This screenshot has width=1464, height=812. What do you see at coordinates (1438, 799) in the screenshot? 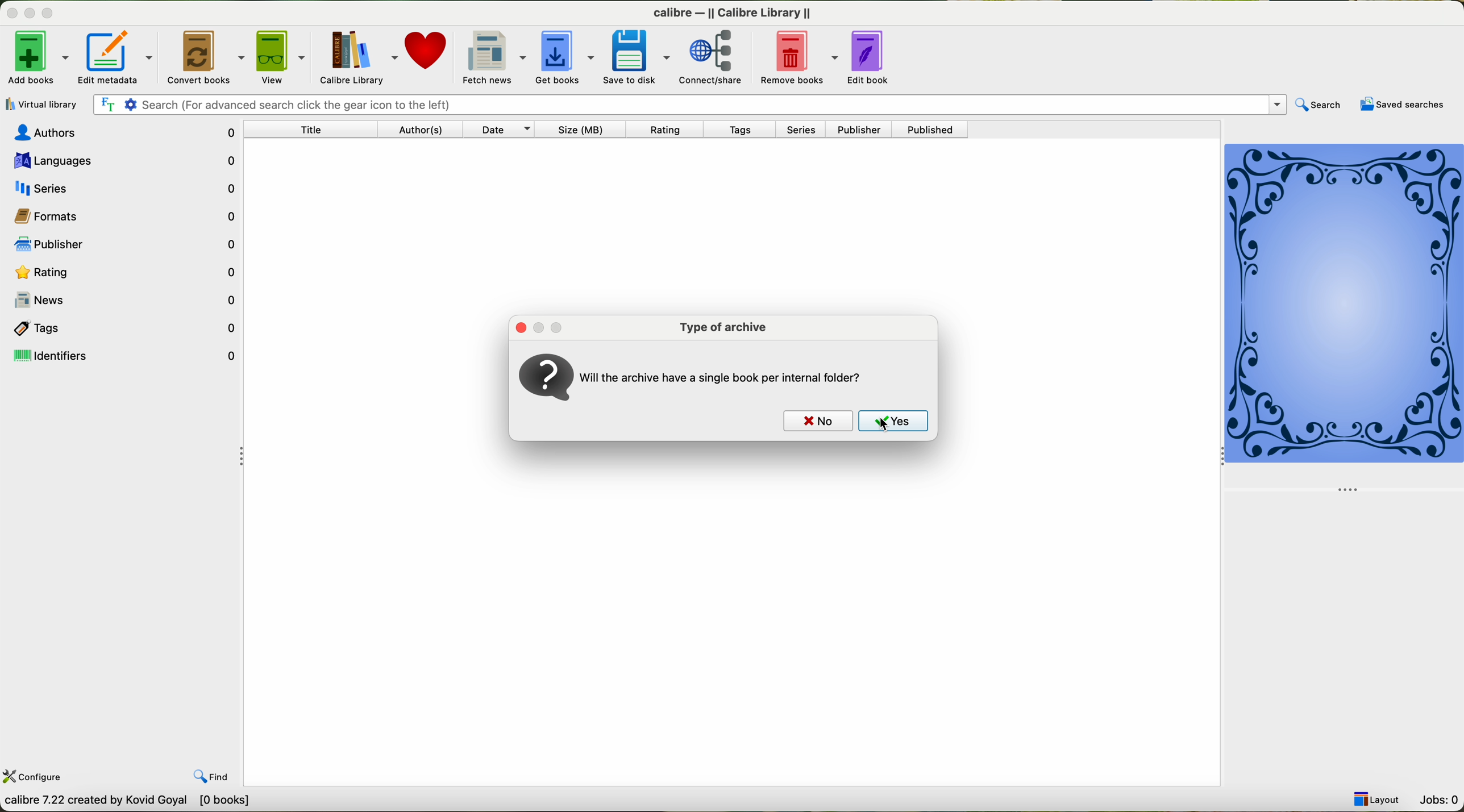
I see `jobs: 0` at bounding box center [1438, 799].